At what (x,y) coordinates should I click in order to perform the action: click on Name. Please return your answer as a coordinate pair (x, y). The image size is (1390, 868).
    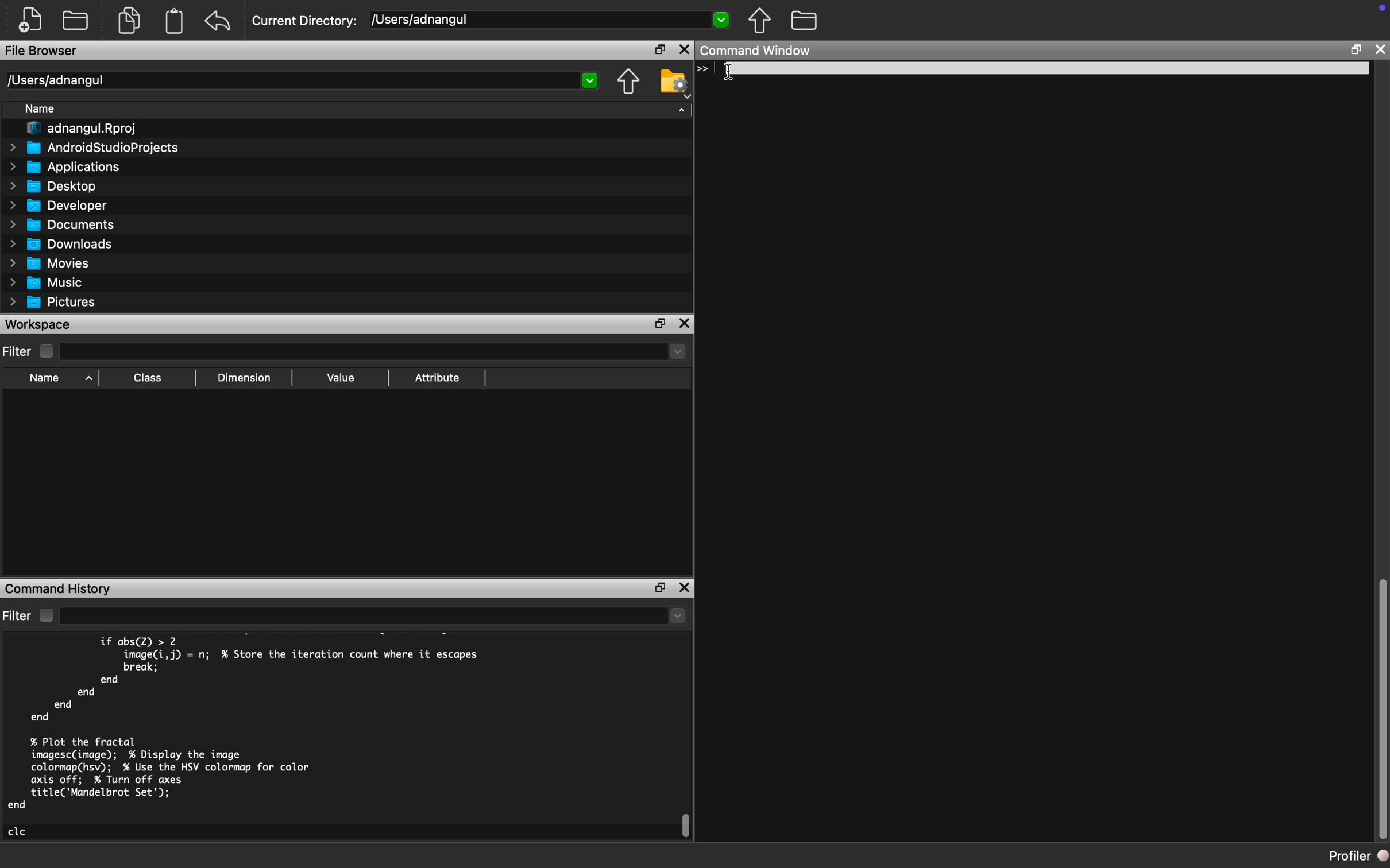
    Looking at the image, I should click on (39, 108).